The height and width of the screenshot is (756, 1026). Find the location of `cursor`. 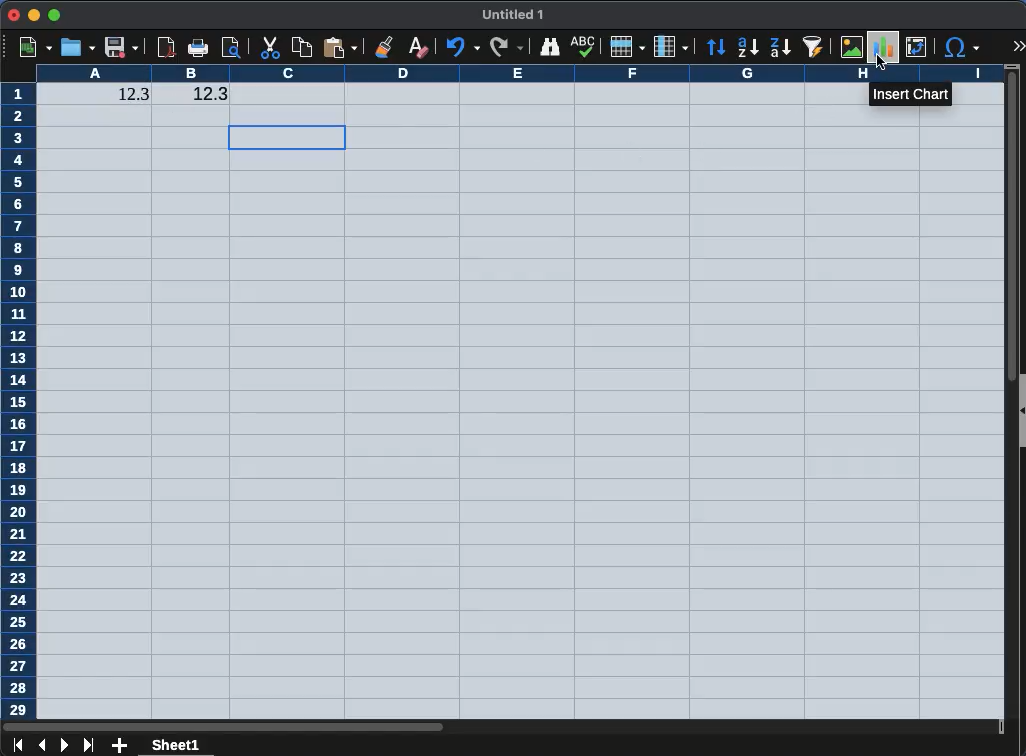

cursor is located at coordinates (881, 63).